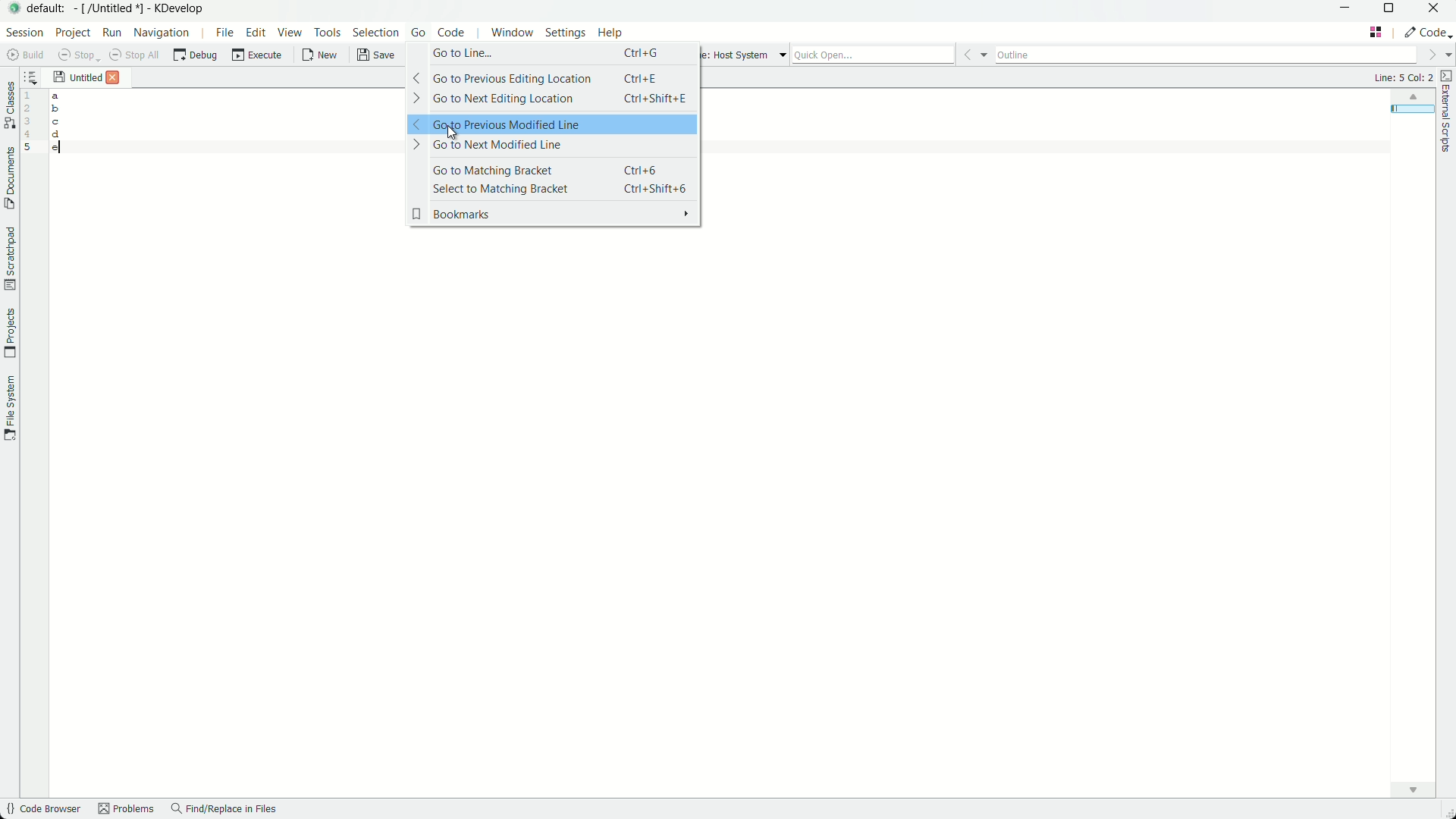 This screenshot has height=819, width=1456. Describe the element at coordinates (1447, 116) in the screenshot. I see `external scripts` at that location.